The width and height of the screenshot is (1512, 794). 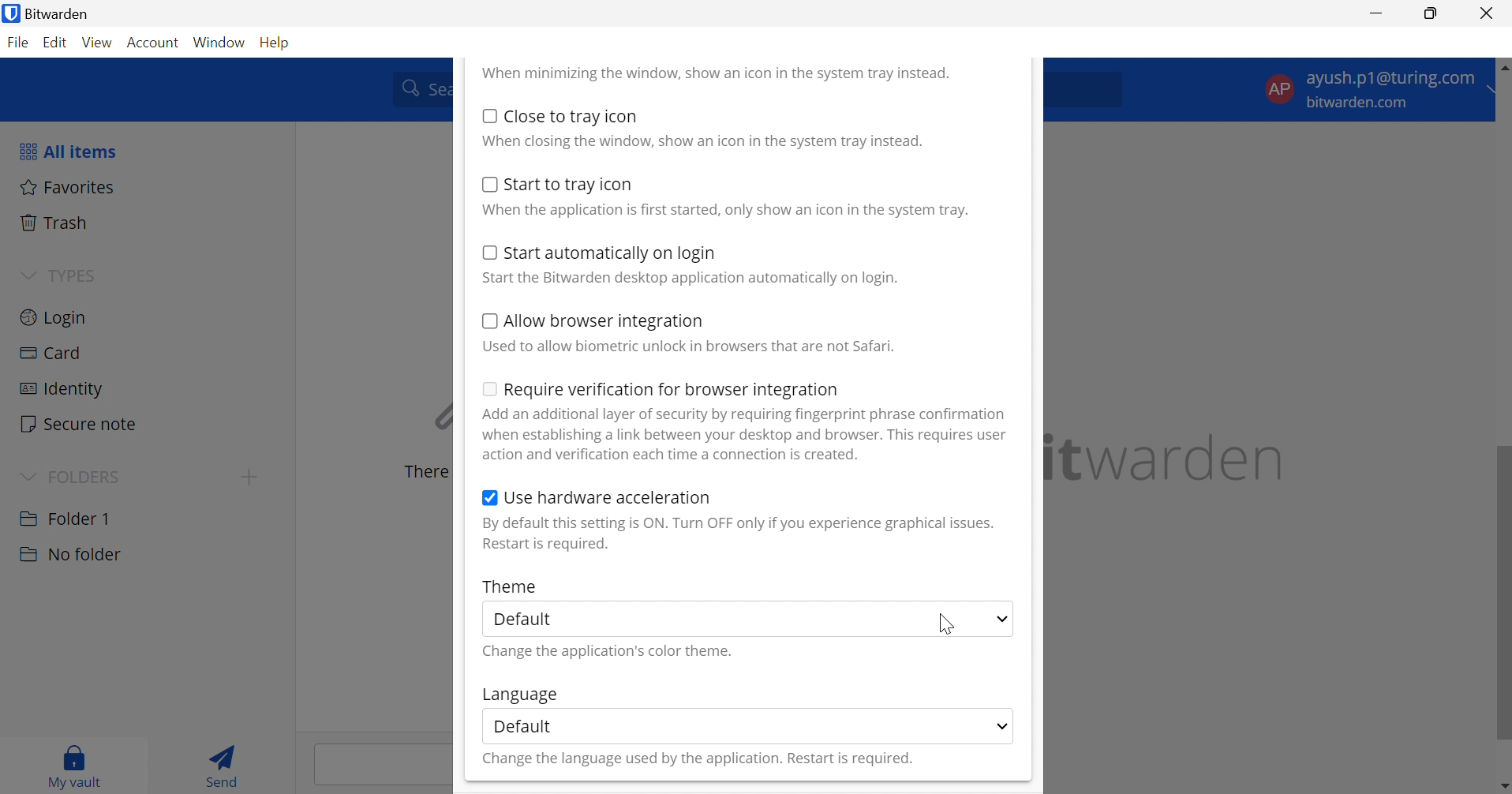 I want to click on Add an additional layer of security by requiring fingerprint phrase confirmation, so click(x=747, y=414).